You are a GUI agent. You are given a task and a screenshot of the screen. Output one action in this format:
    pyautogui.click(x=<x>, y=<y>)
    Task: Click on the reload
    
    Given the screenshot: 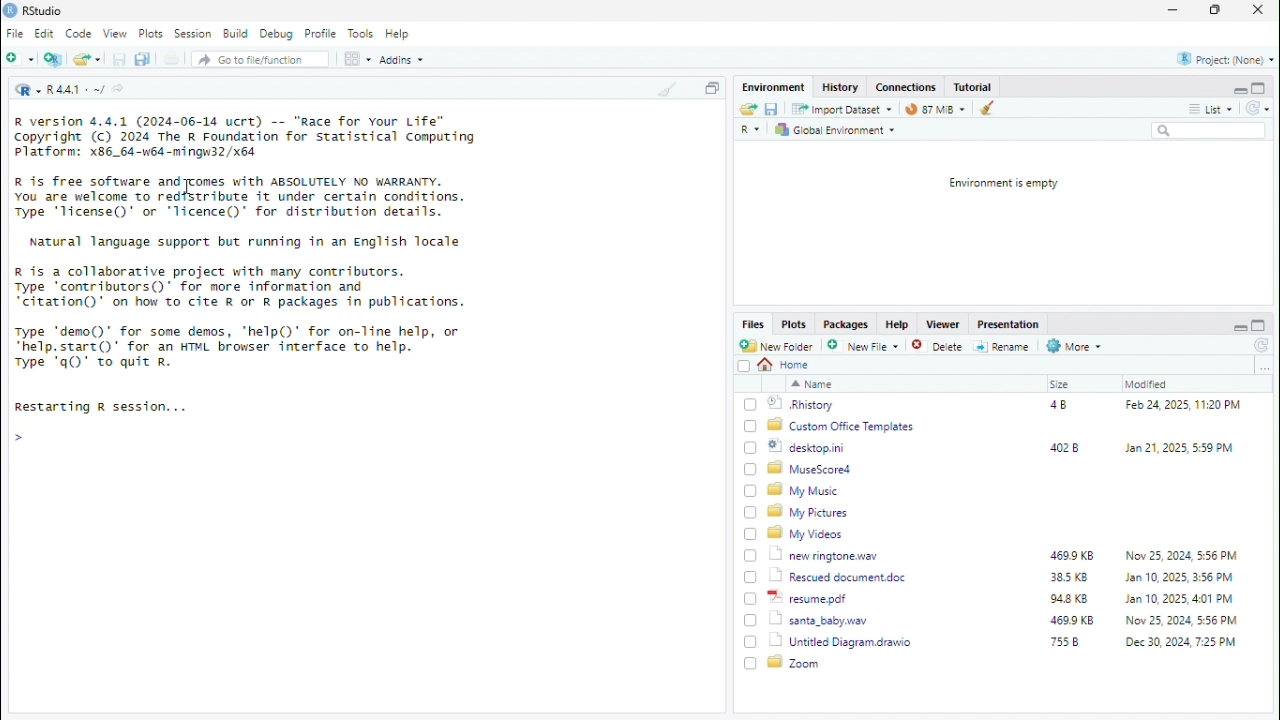 What is the action you would take?
    pyautogui.click(x=1263, y=346)
    